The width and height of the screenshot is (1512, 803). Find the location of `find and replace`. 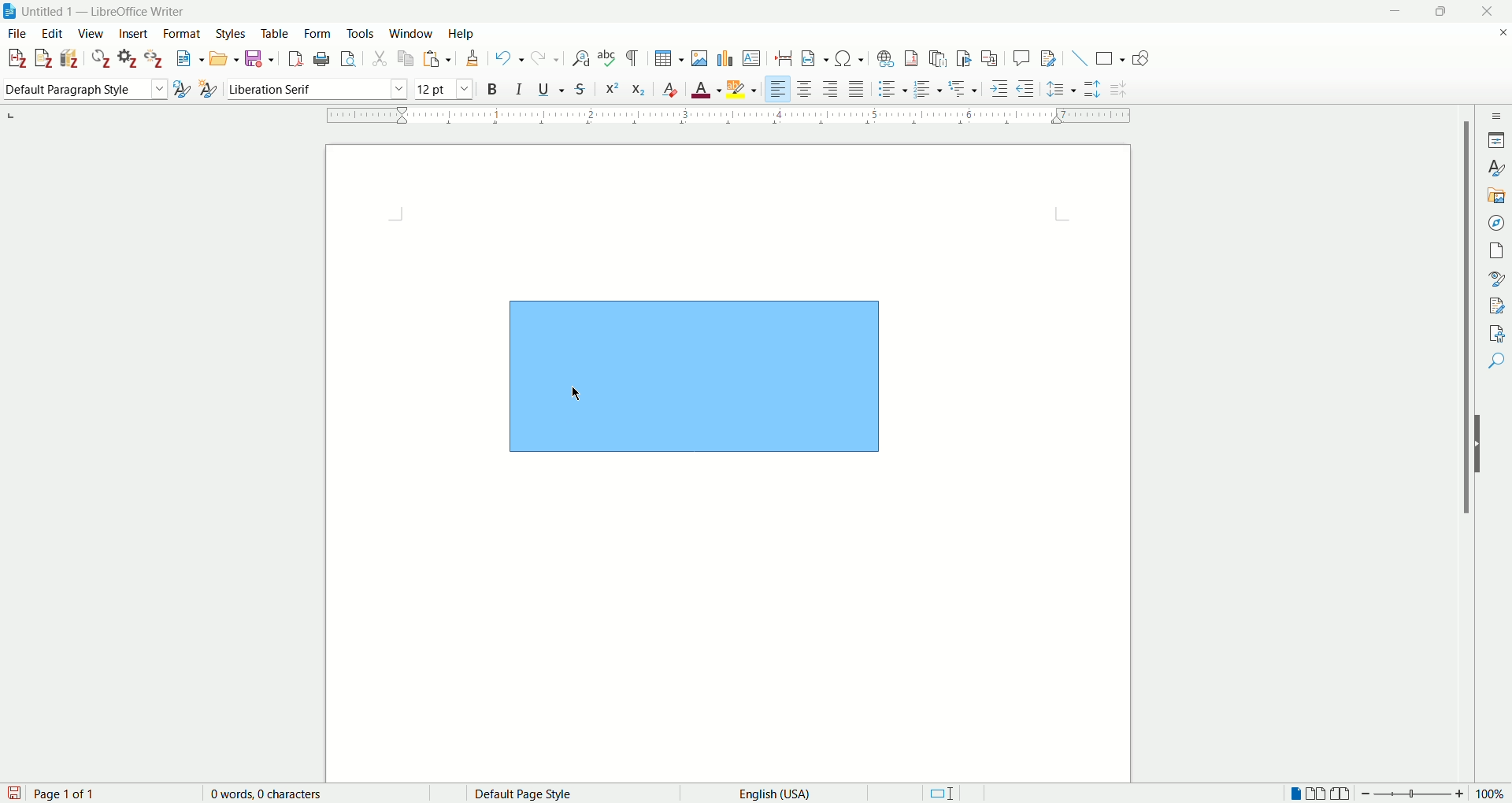

find and replace is located at coordinates (585, 58).